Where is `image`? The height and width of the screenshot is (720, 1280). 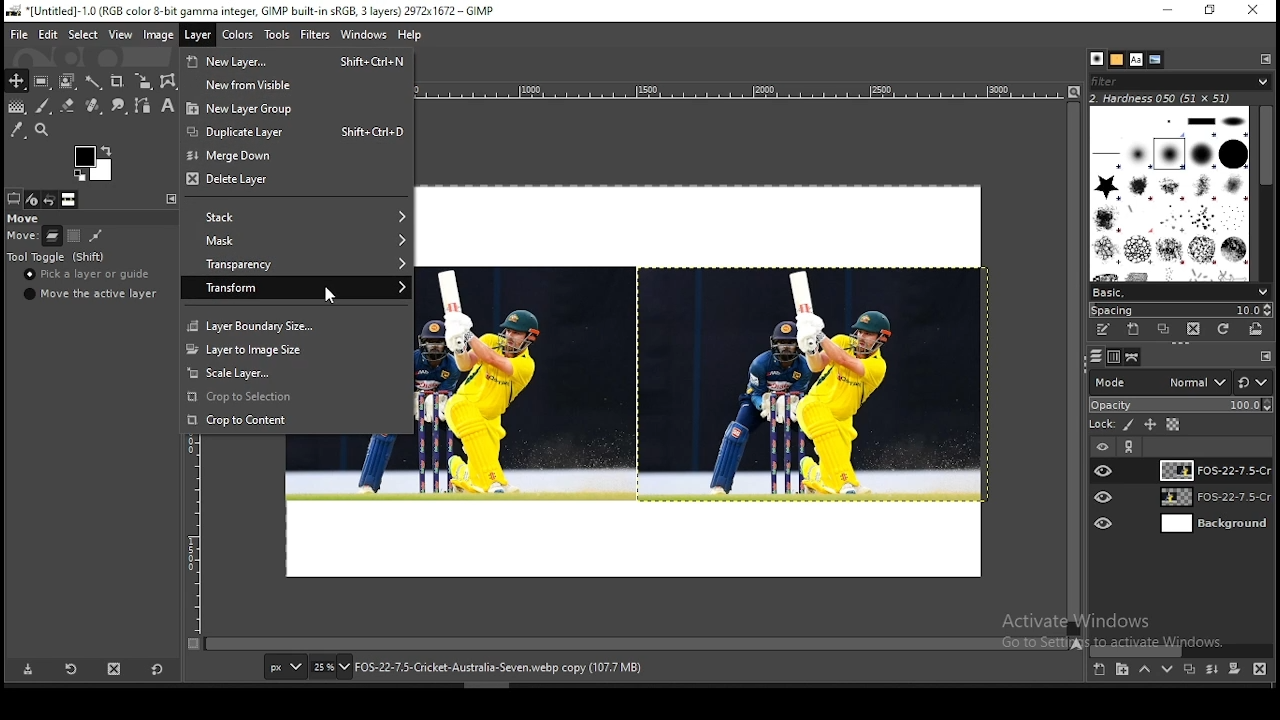
image is located at coordinates (159, 34).